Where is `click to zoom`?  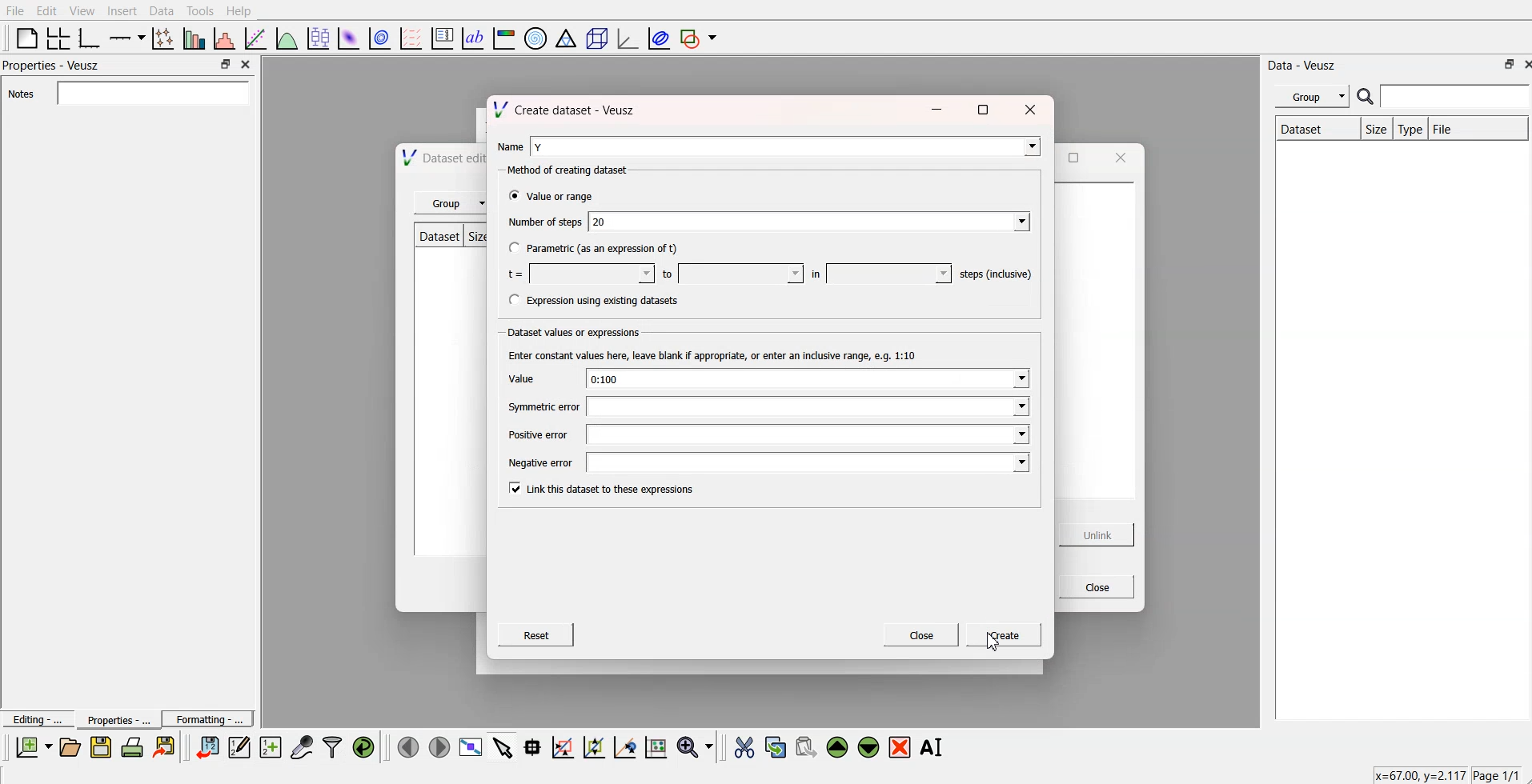
click to zoom is located at coordinates (596, 746).